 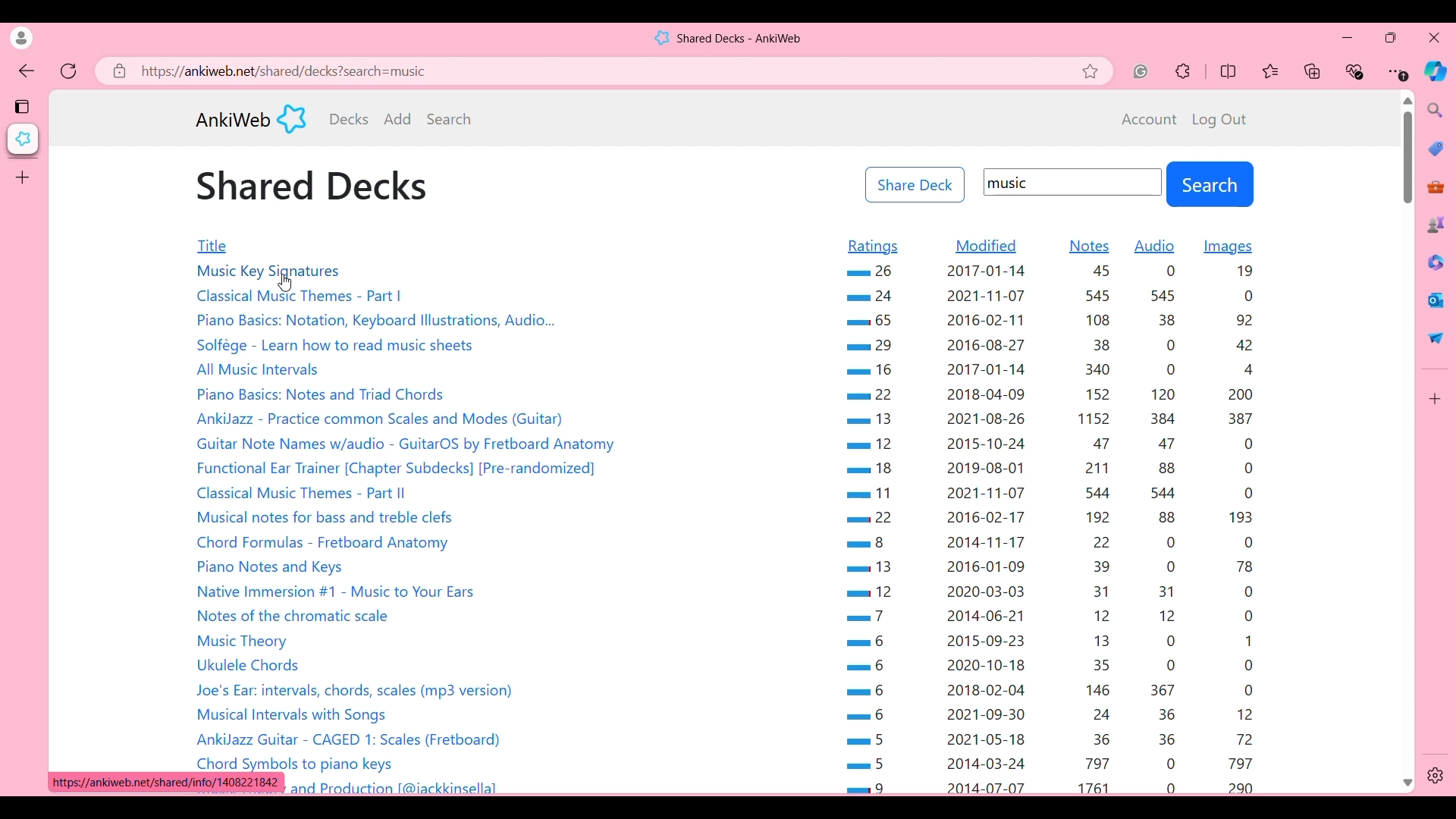 I want to click on Games, so click(x=1436, y=224).